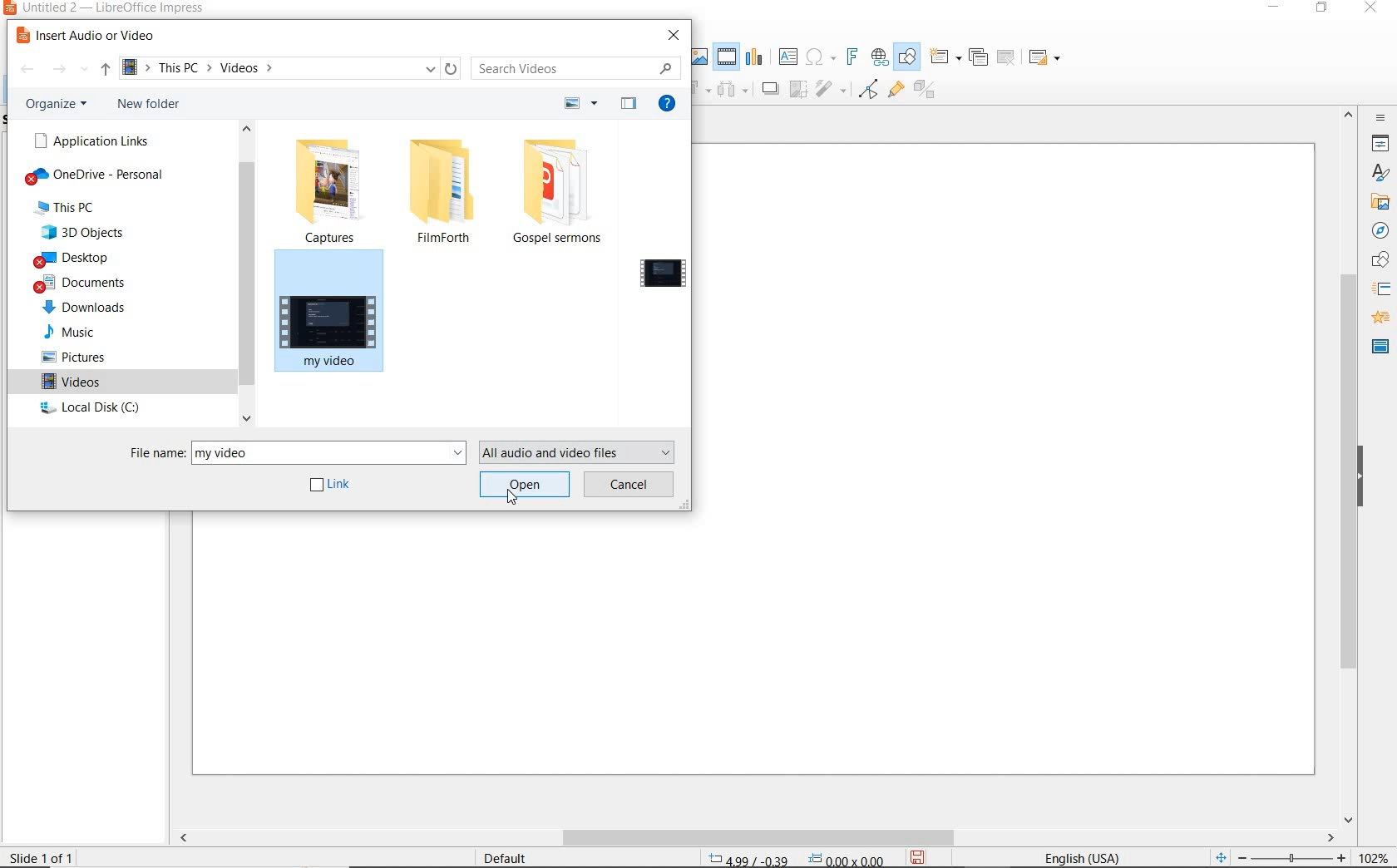  Describe the element at coordinates (909, 57) in the screenshot. I see `SHOW DRAW FUNCTIONS` at that location.